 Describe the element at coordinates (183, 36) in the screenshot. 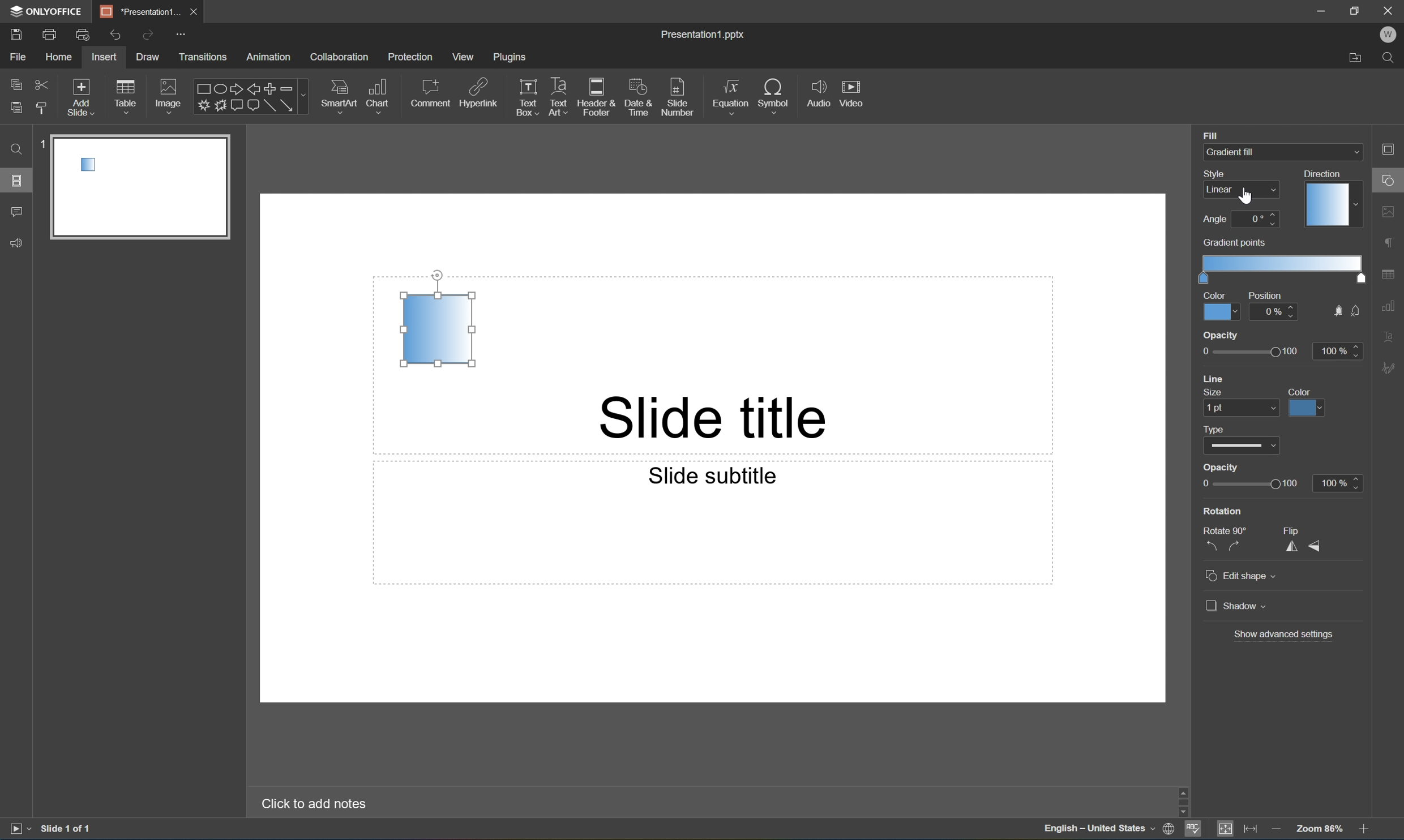

I see `Customize quick access toolbar` at that location.